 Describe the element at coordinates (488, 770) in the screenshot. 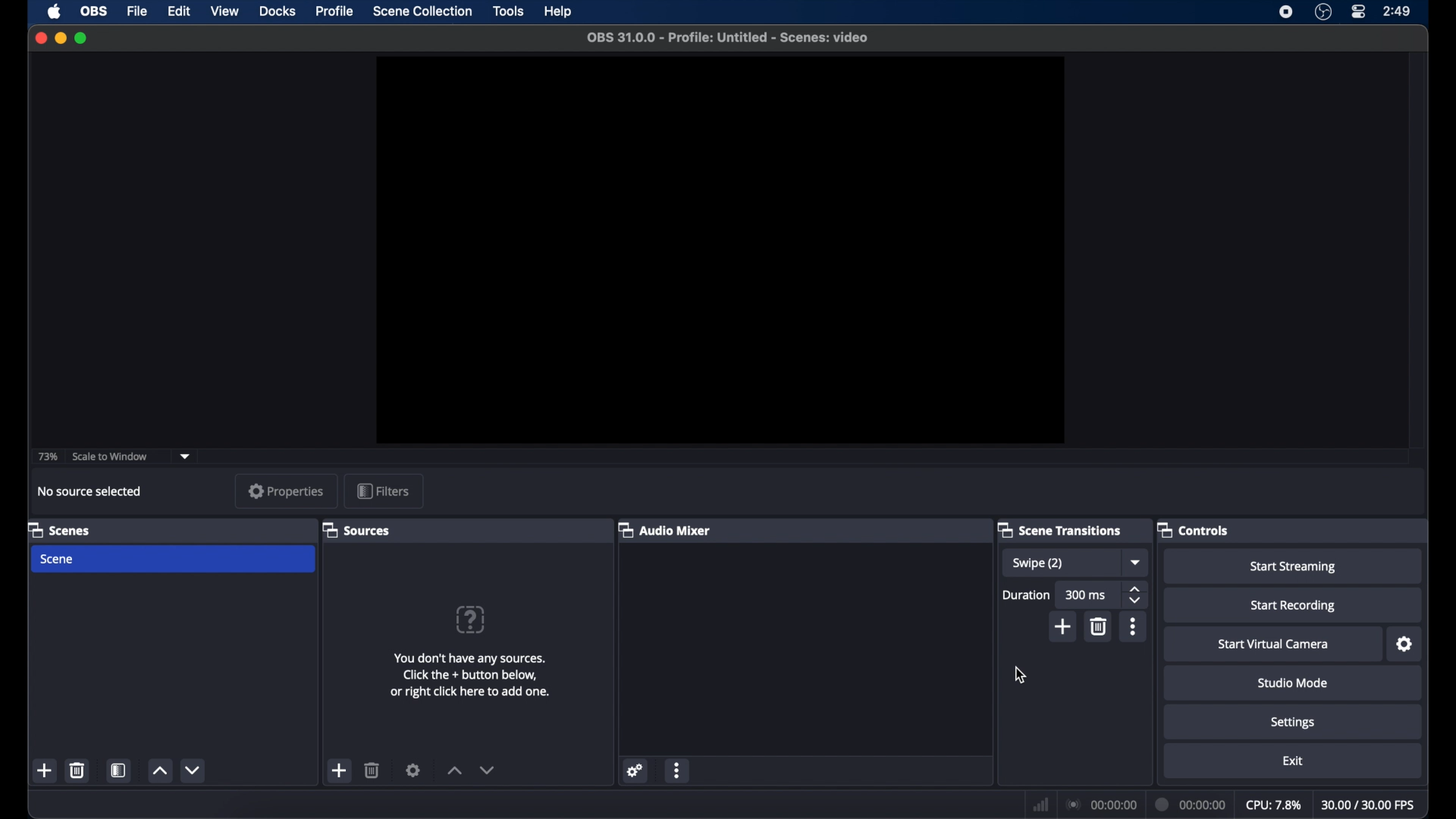

I see `decrement` at that location.